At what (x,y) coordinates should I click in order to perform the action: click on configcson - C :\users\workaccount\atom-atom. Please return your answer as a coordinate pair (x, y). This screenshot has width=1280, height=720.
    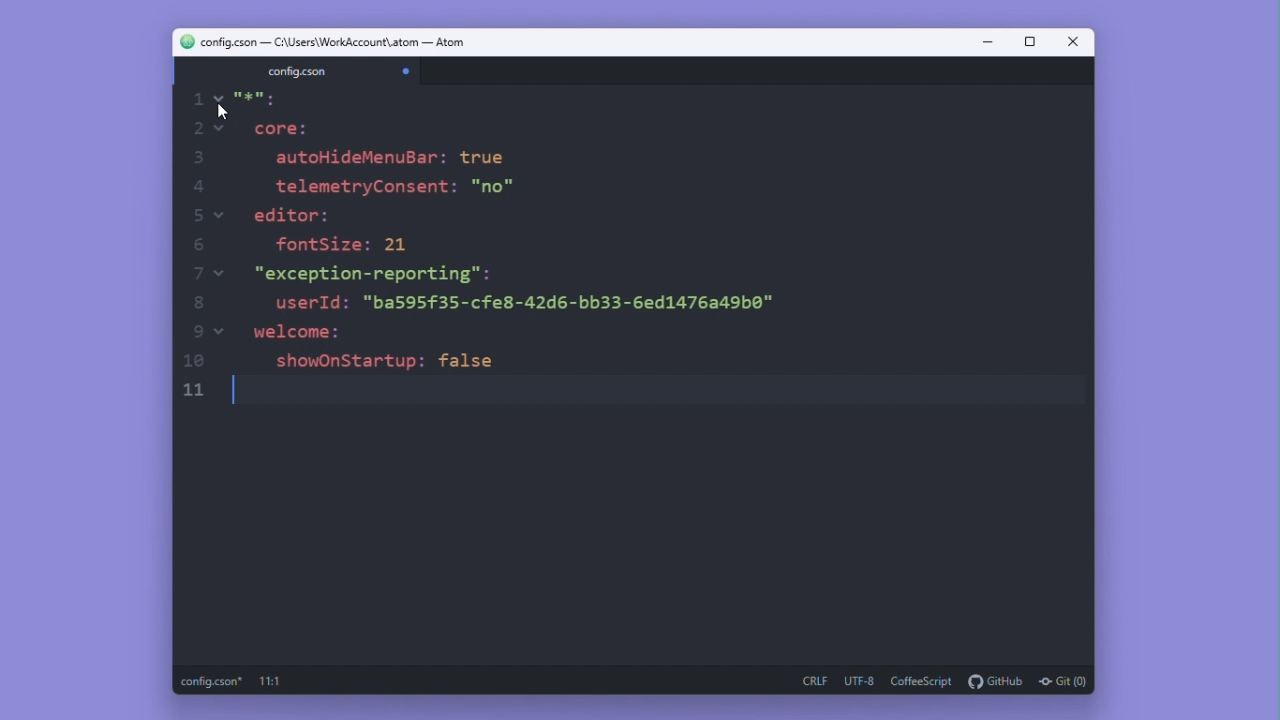
    Looking at the image, I should click on (336, 42).